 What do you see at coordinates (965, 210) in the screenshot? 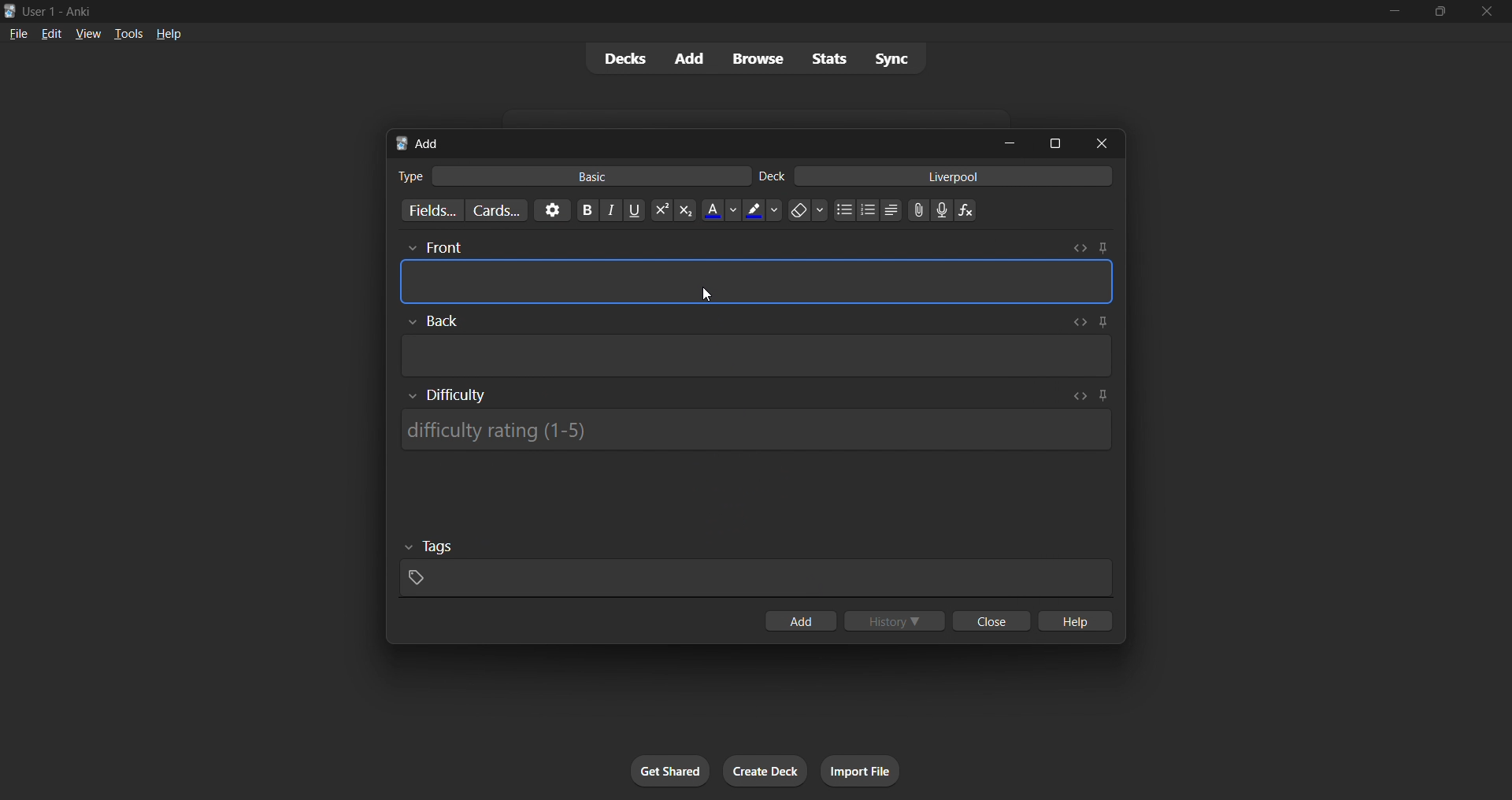
I see `Equation` at bounding box center [965, 210].